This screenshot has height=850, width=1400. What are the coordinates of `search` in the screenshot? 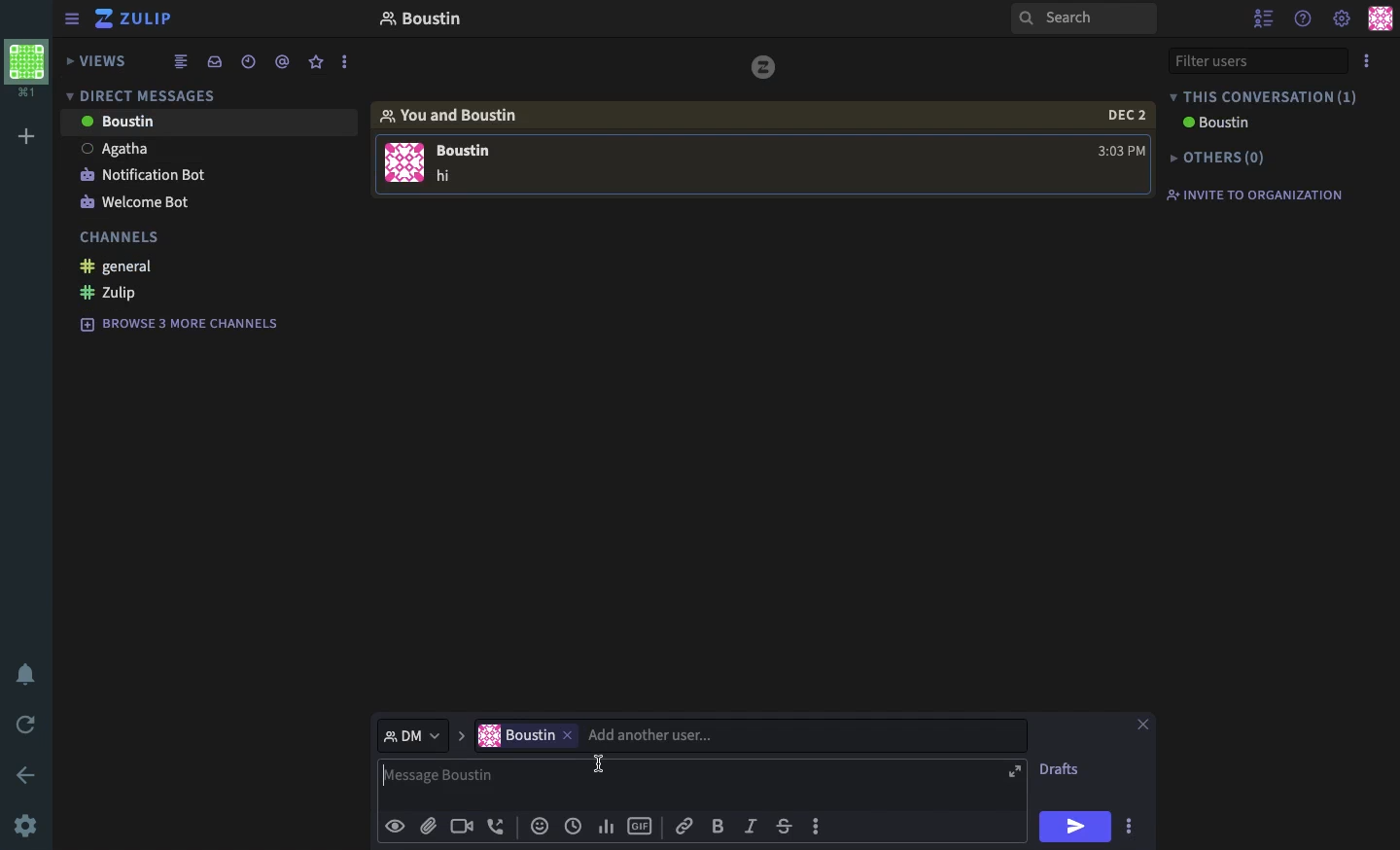 It's located at (1080, 19).